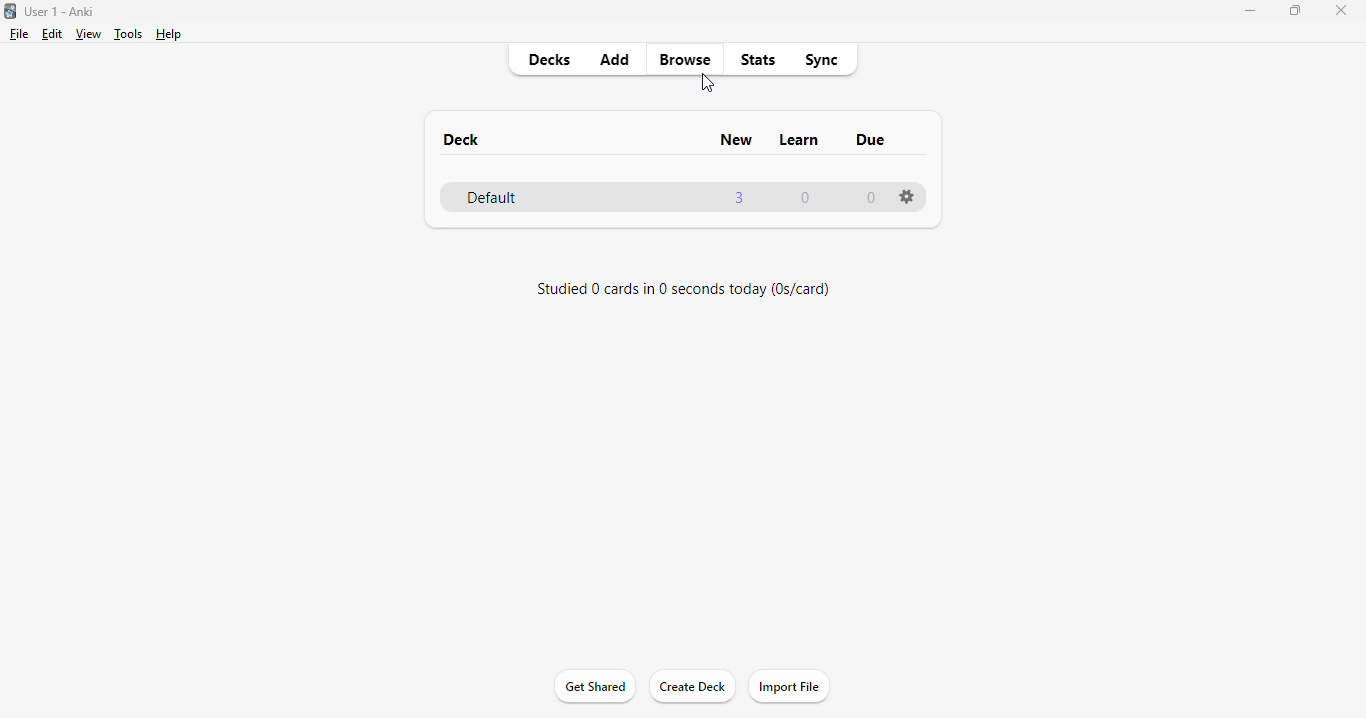 The image size is (1366, 718). I want to click on cursor, so click(708, 83).